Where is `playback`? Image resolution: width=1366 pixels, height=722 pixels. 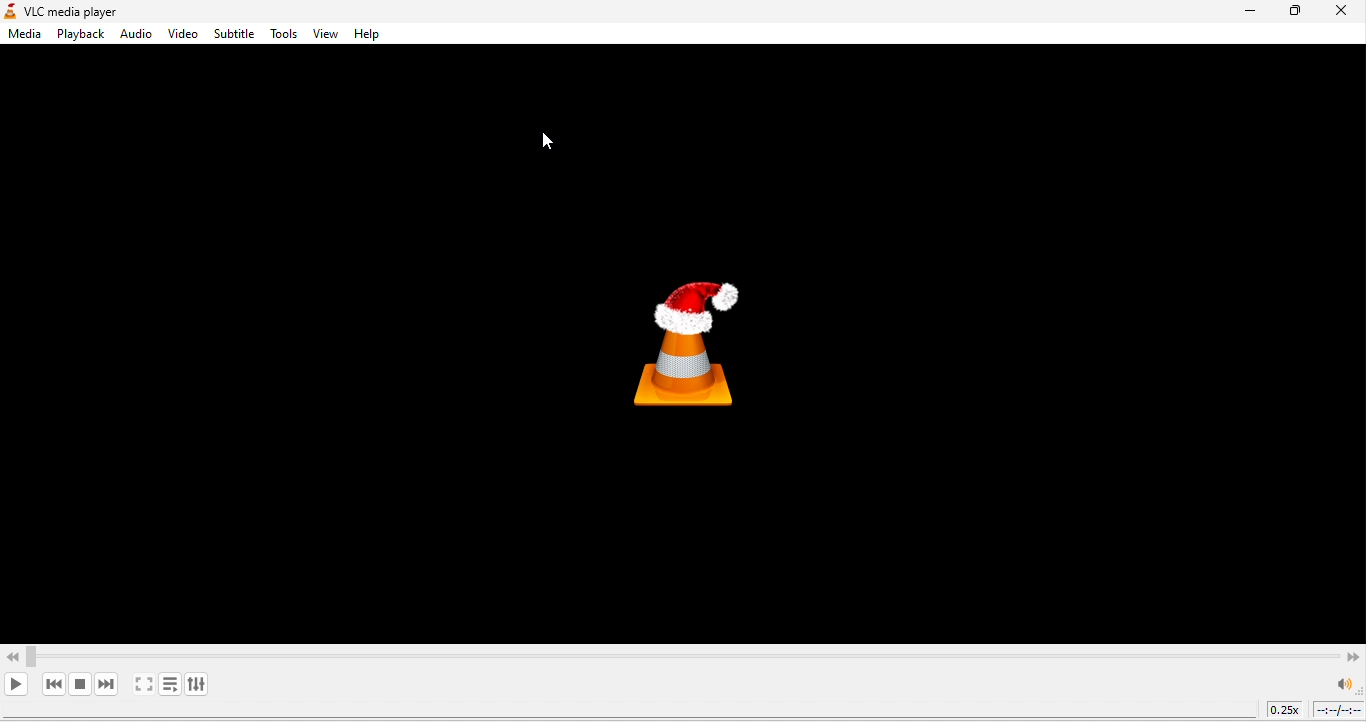 playback is located at coordinates (78, 35).